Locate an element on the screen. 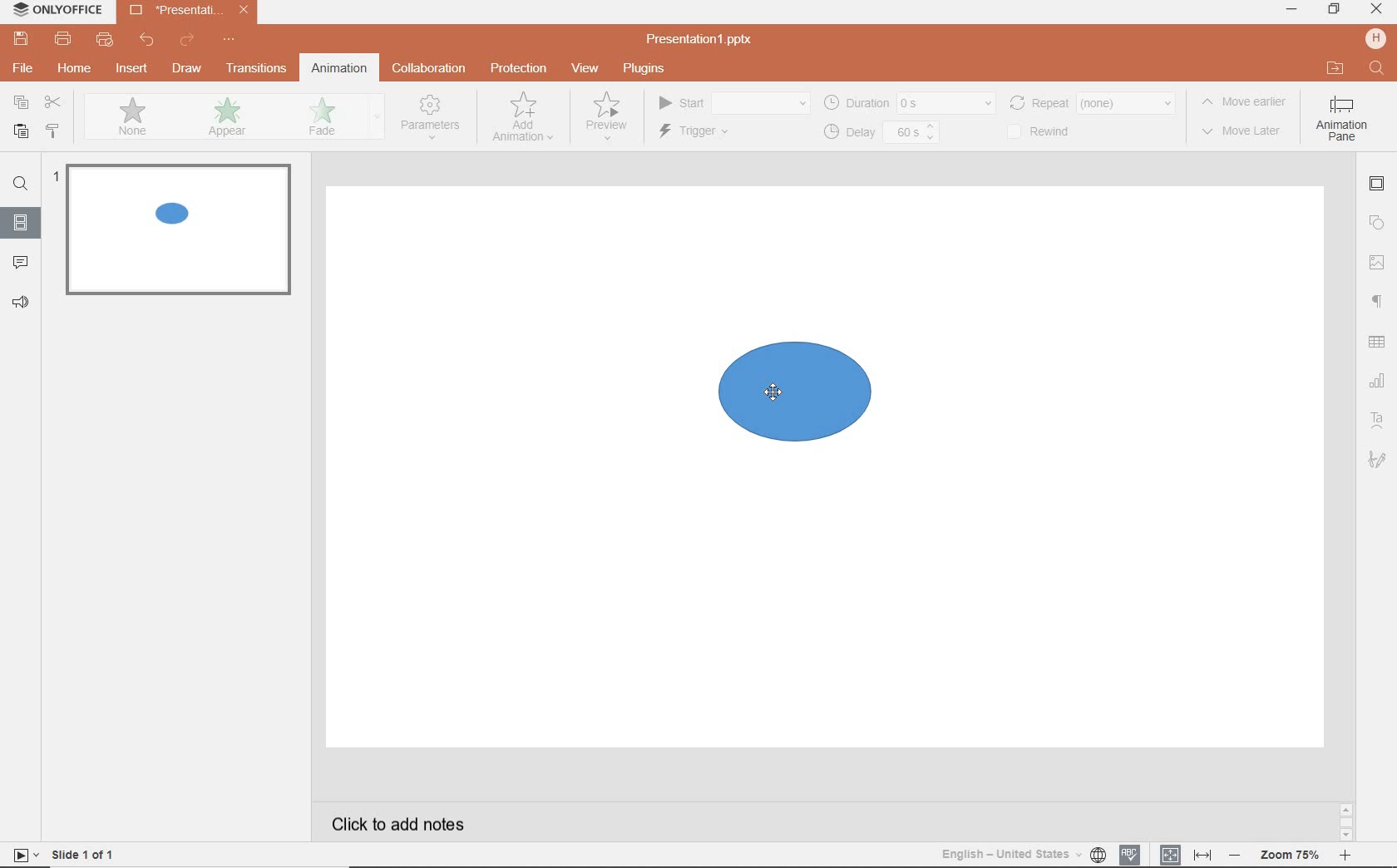 Image resolution: width=1397 pixels, height=868 pixels. protection is located at coordinates (517, 67).